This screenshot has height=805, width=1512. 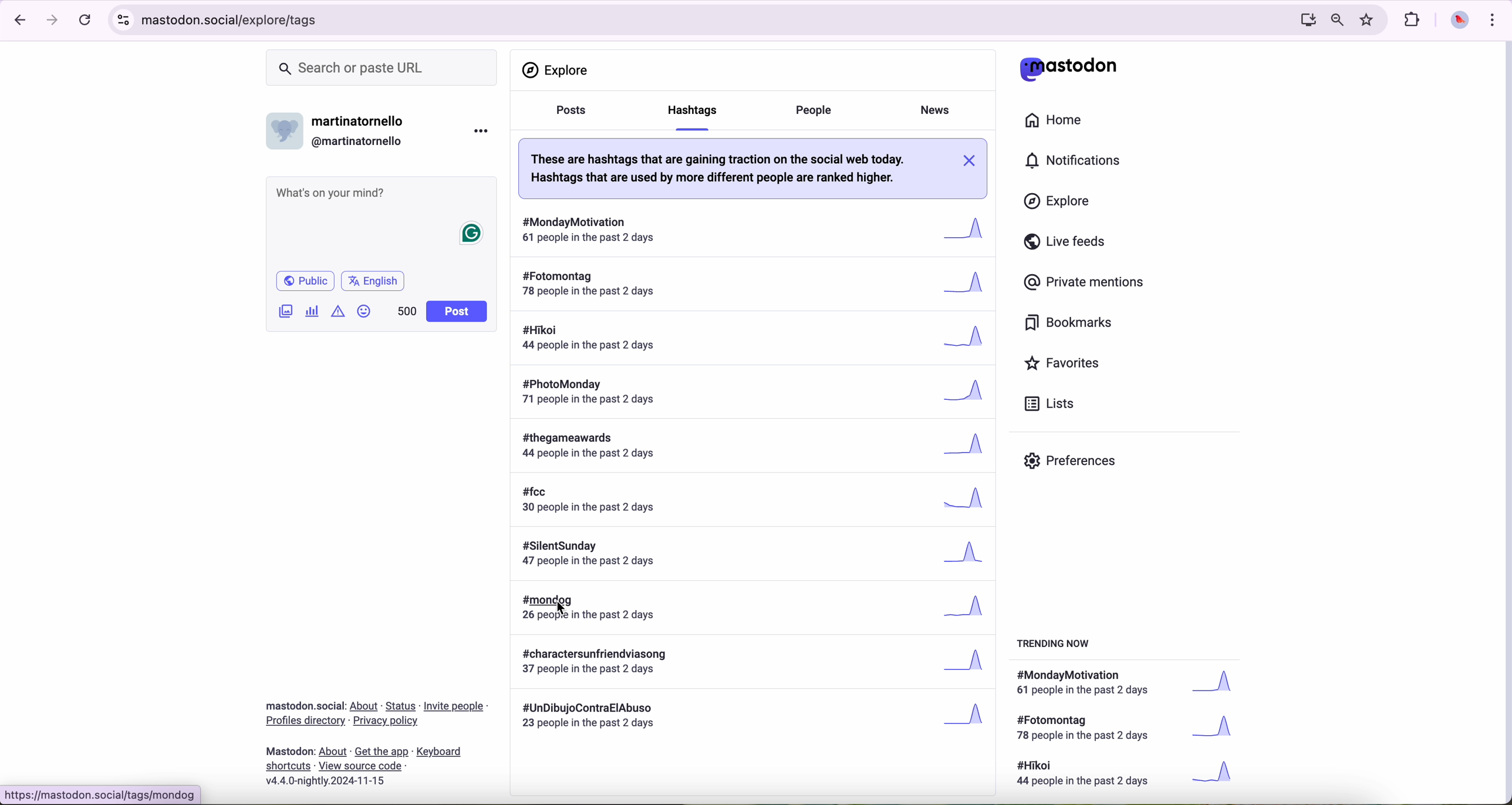 I want to click on Mastodon social, so click(x=302, y=706).